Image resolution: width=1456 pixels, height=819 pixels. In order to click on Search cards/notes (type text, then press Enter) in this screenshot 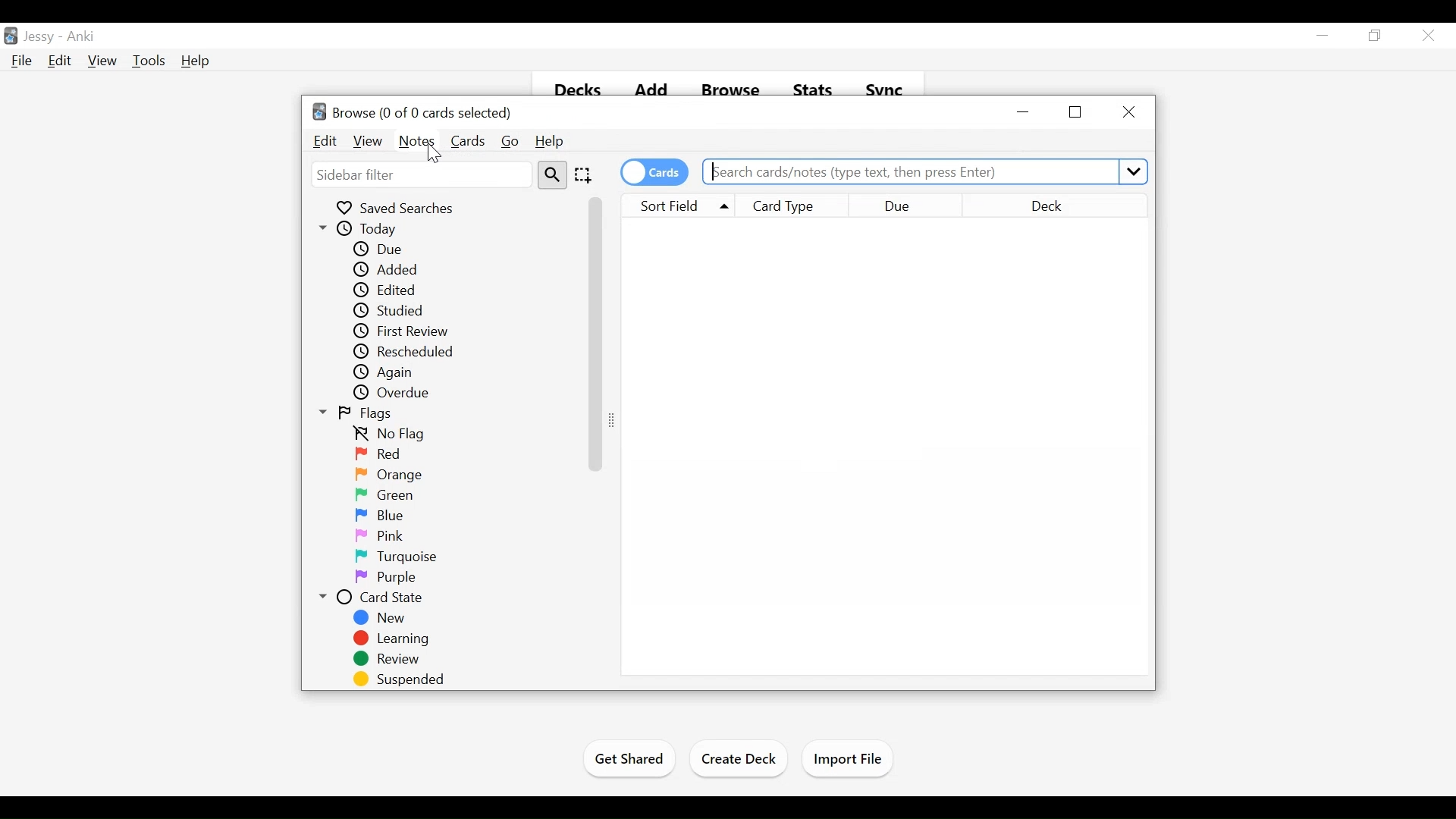, I will do `click(921, 171)`.